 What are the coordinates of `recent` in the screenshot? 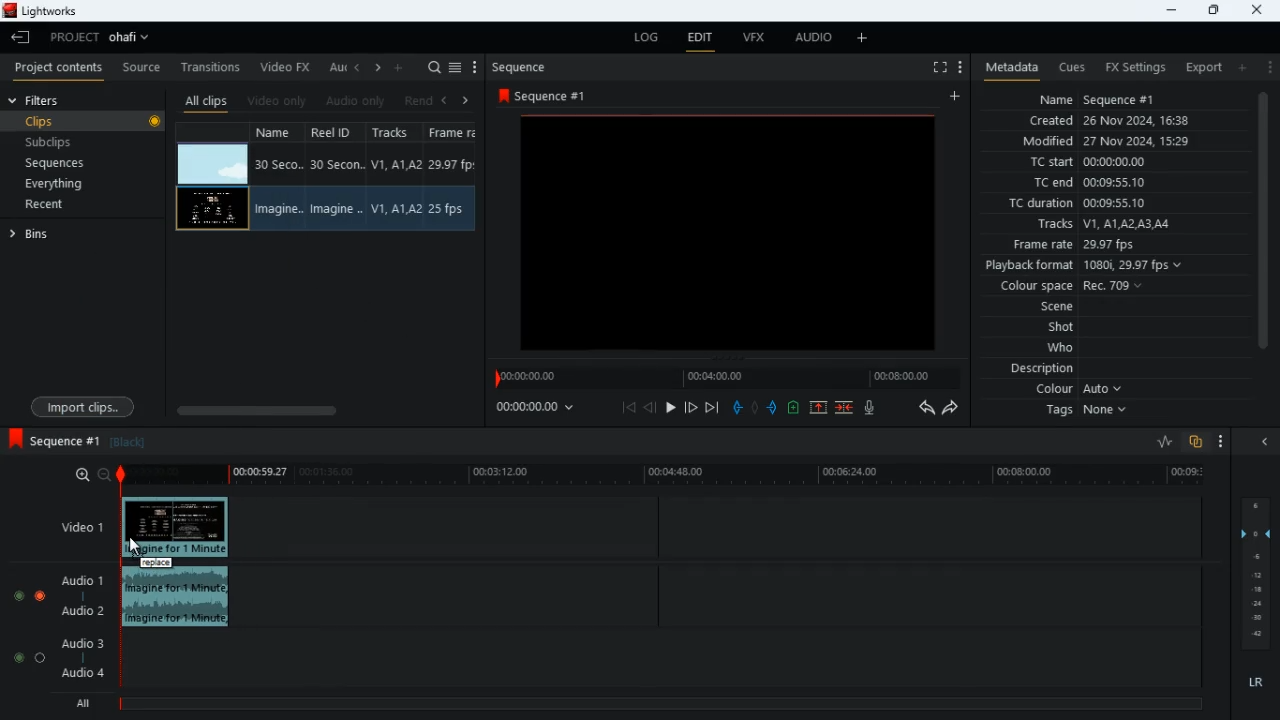 It's located at (61, 206).